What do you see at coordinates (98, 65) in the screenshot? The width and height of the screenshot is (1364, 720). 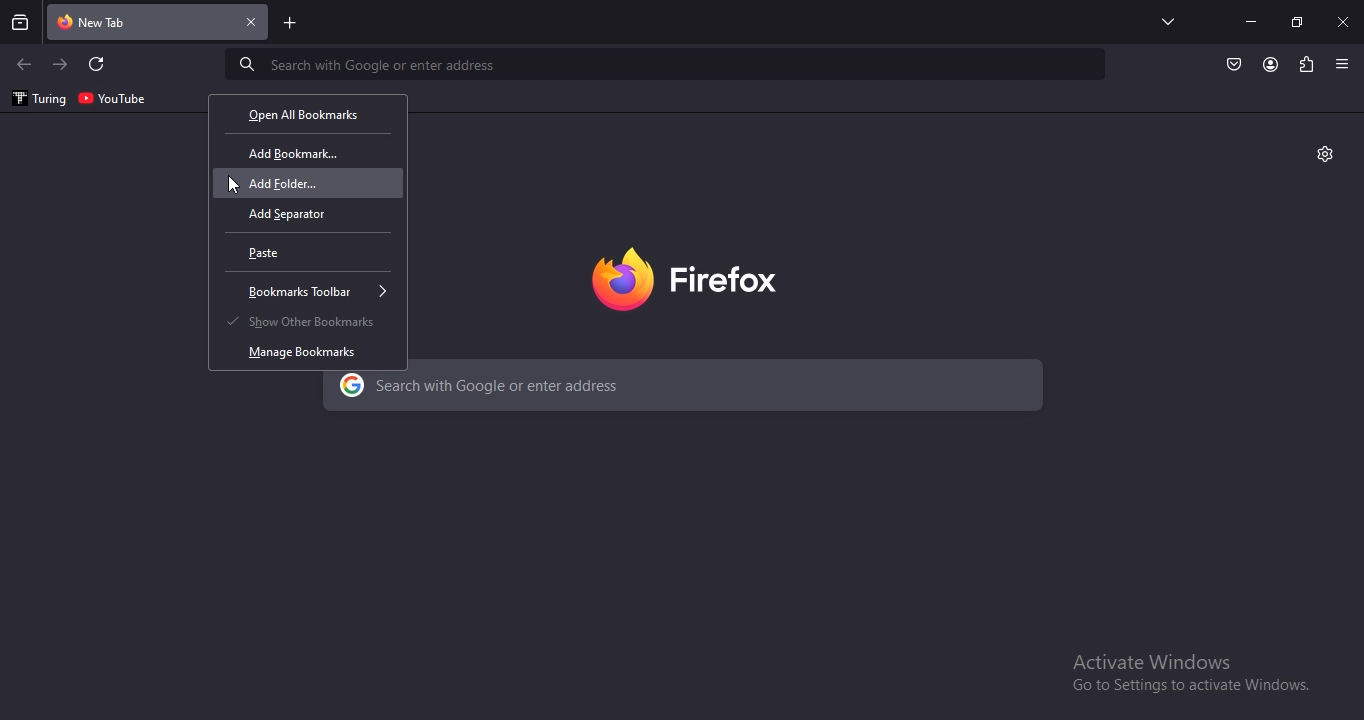 I see `refresh` at bounding box center [98, 65].